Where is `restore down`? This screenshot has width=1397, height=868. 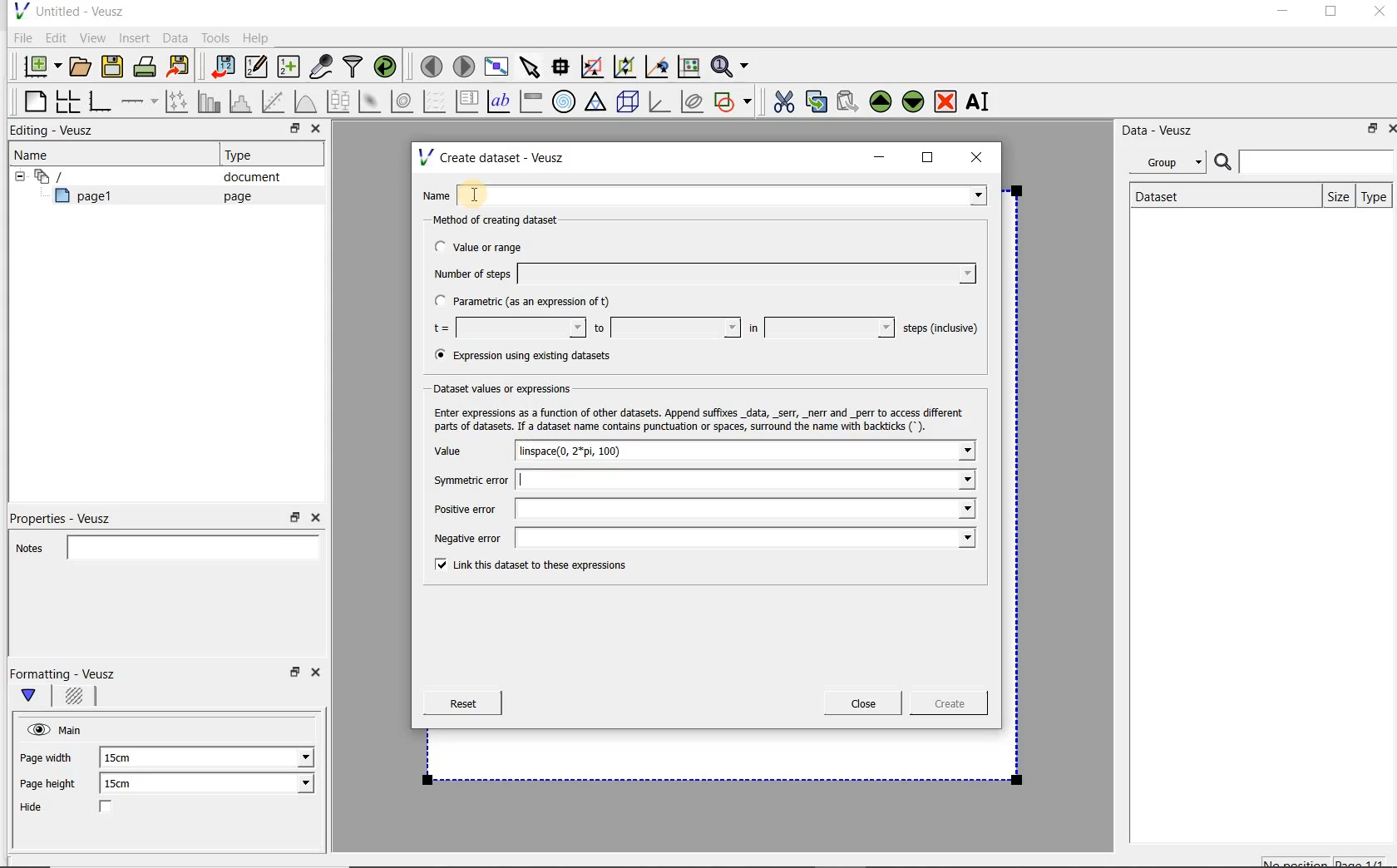 restore down is located at coordinates (295, 518).